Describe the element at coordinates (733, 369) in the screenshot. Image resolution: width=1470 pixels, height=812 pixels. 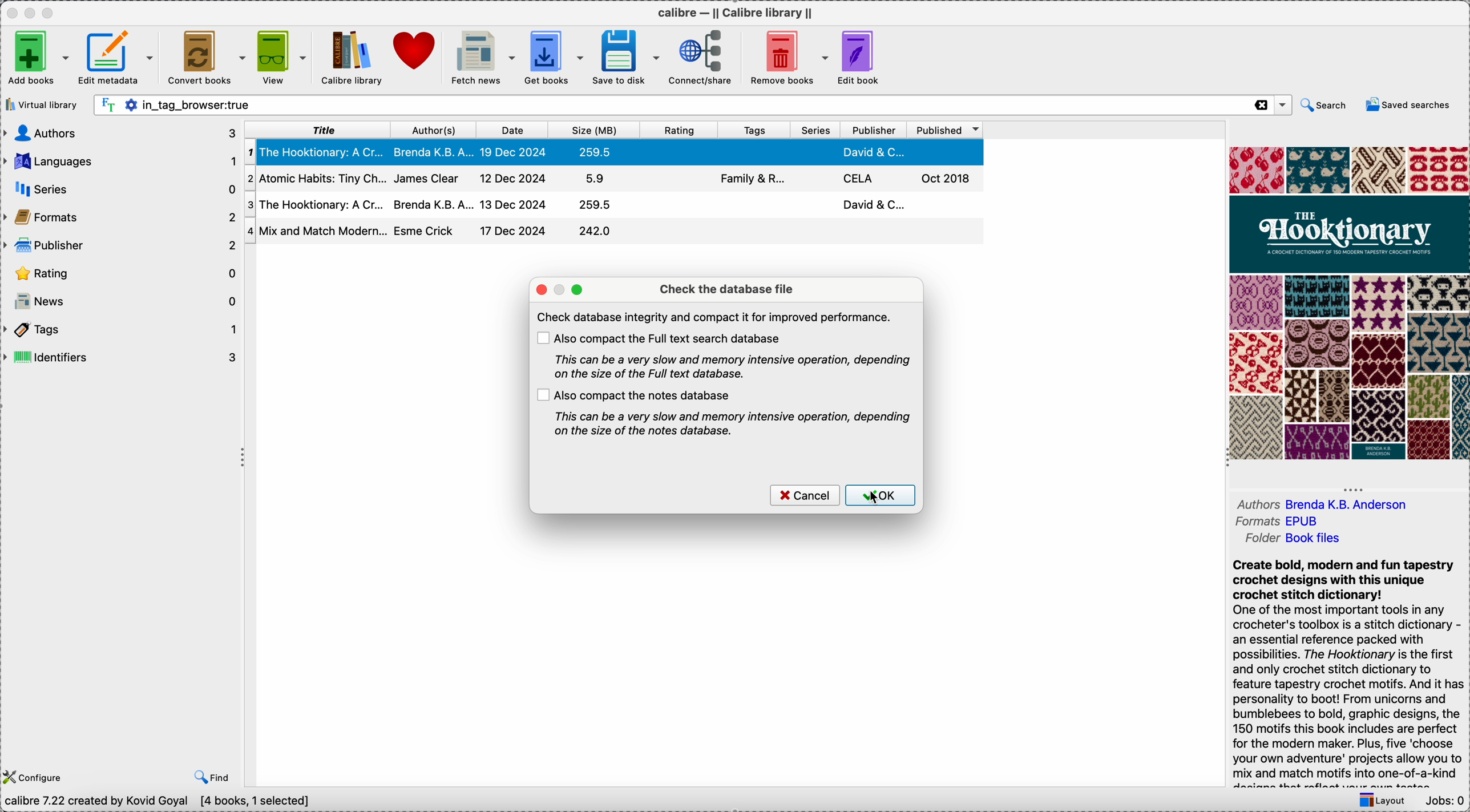
I see `note` at that location.